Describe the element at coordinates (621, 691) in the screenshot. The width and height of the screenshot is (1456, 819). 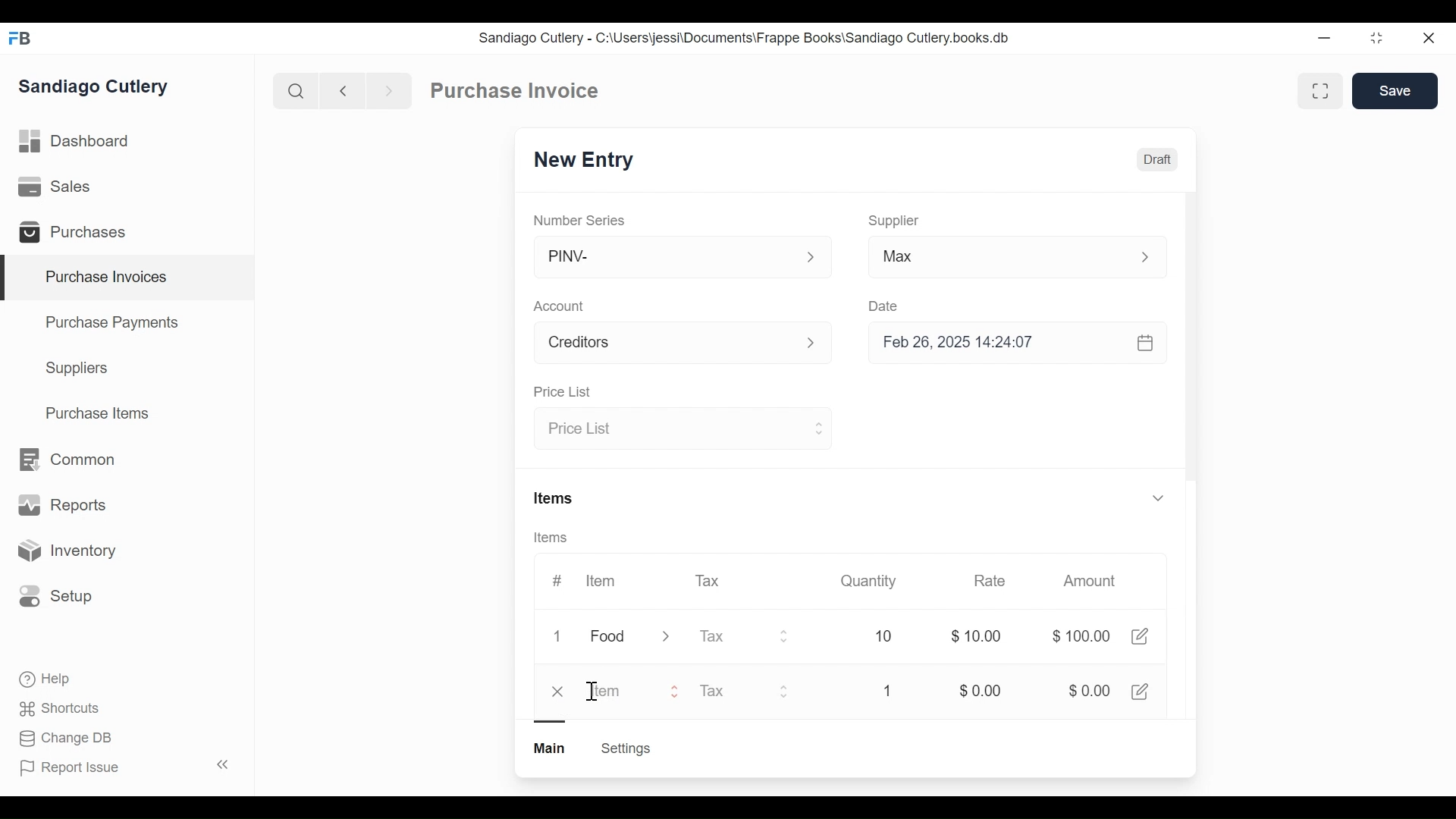
I see `Item` at that location.